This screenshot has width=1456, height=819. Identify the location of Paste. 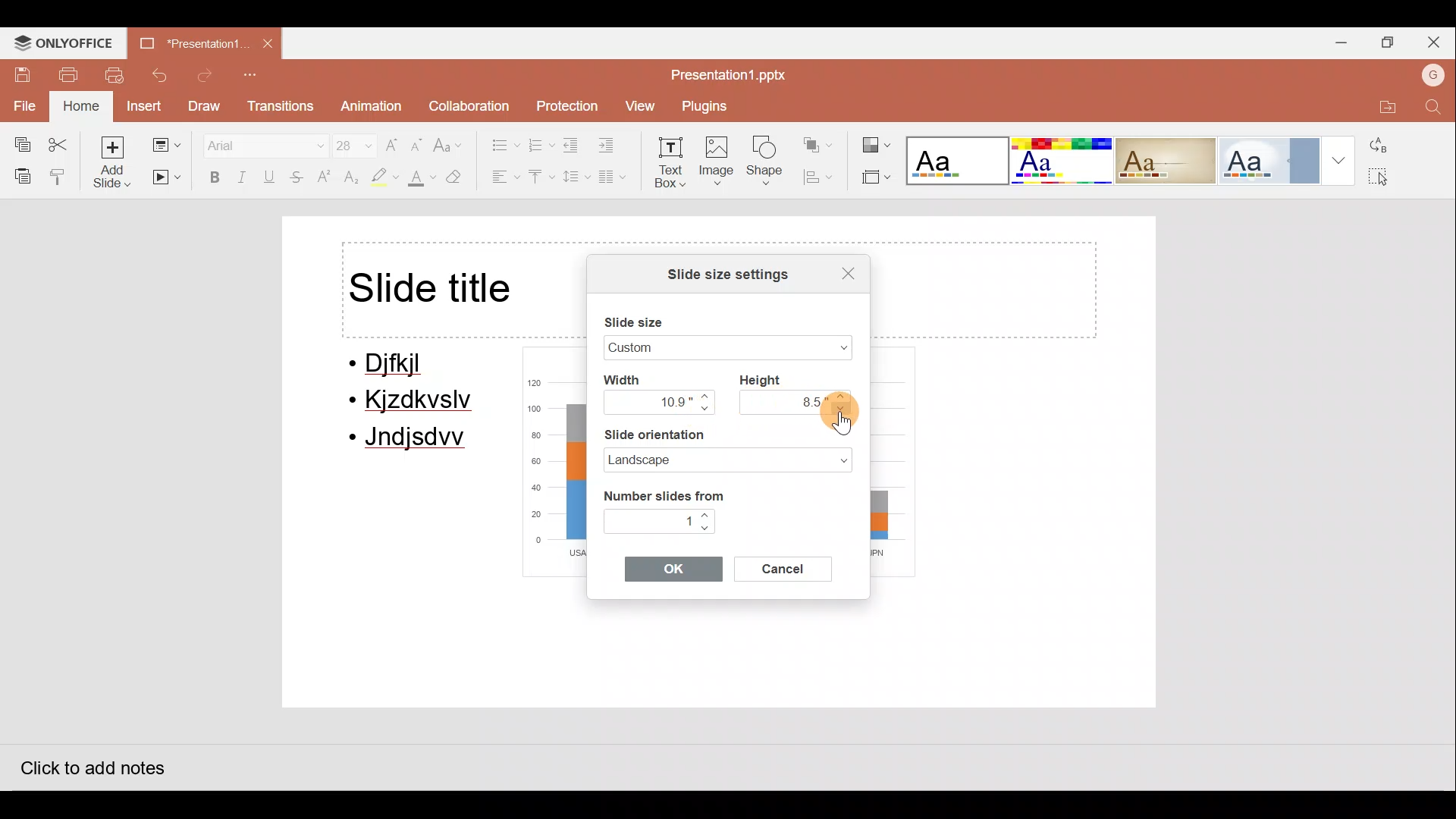
(19, 175).